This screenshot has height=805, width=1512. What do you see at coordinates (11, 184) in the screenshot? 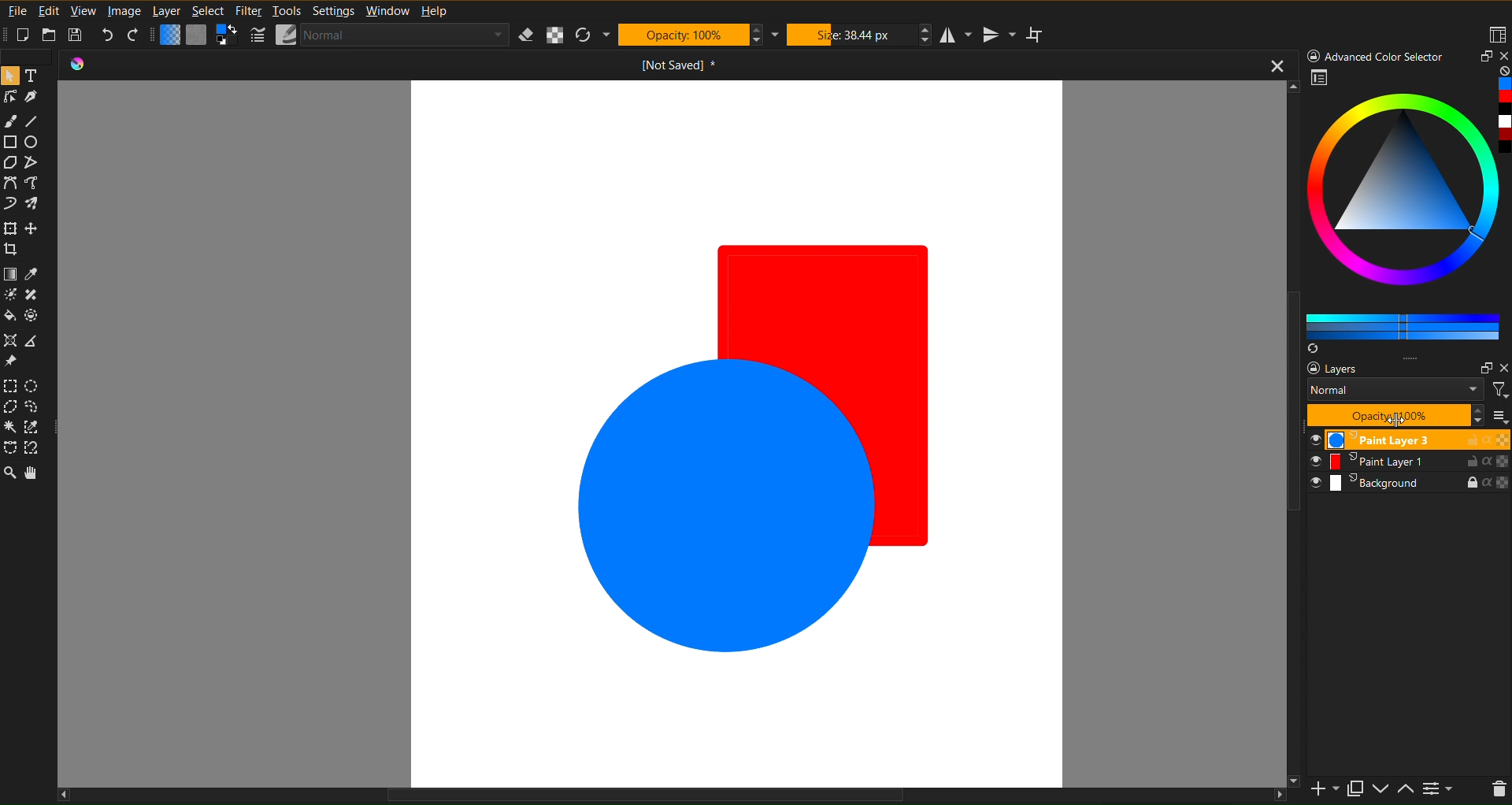
I see `Curve Tool` at bounding box center [11, 184].